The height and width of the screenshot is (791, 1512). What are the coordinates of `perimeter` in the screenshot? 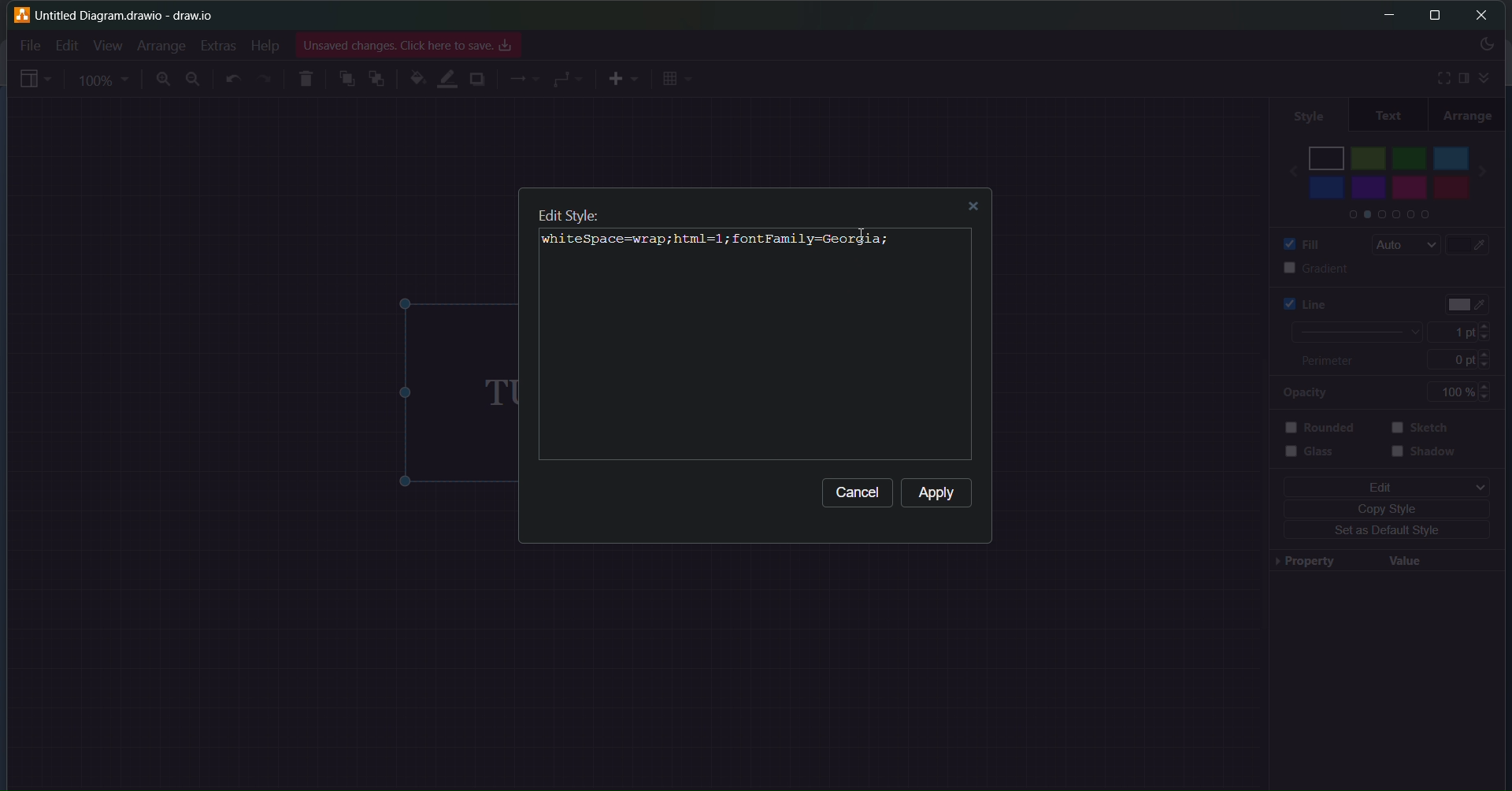 It's located at (1336, 362).